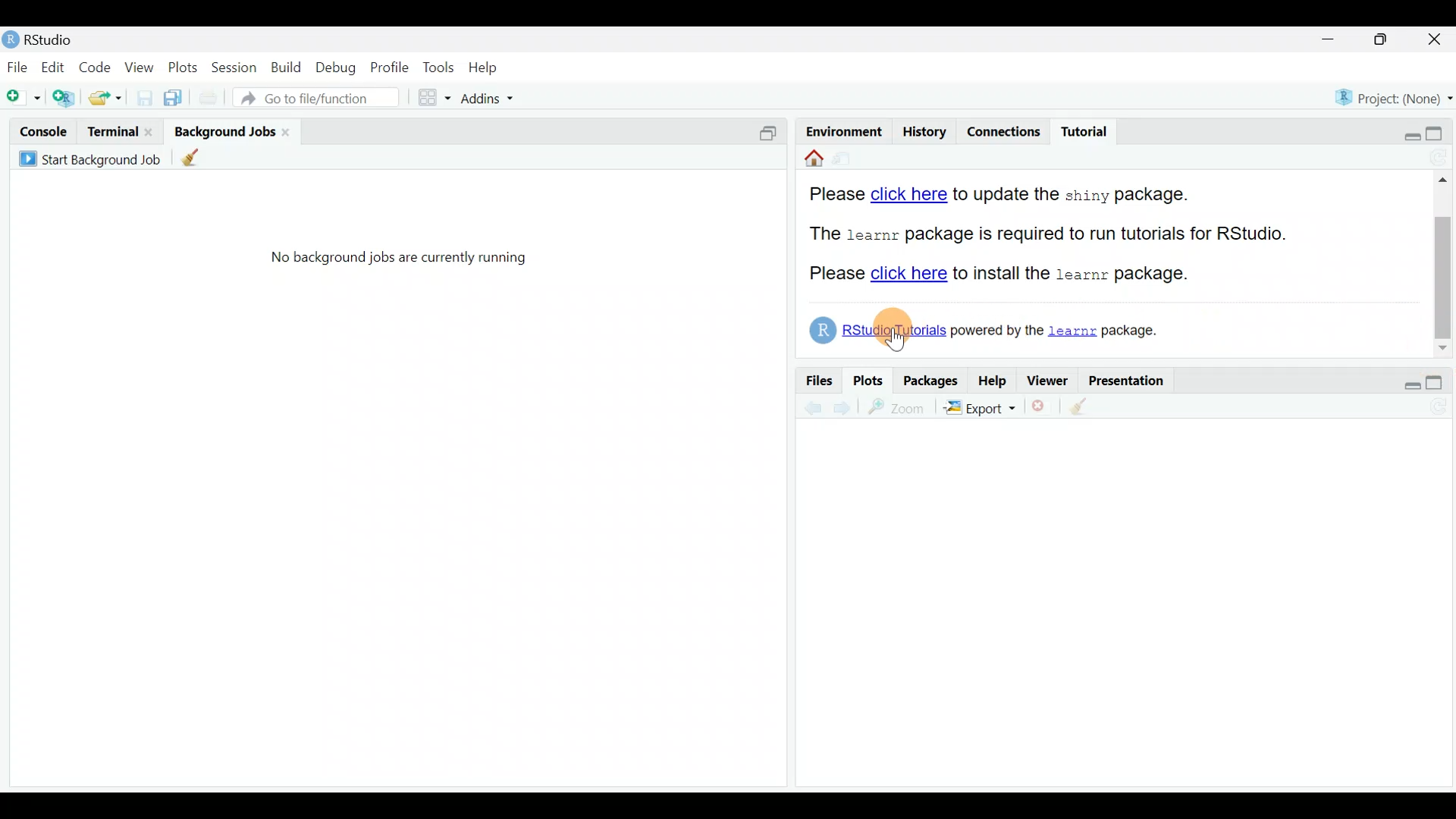 This screenshot has width=1456, height=819. I want to click on show in new window, so click(848, 161).